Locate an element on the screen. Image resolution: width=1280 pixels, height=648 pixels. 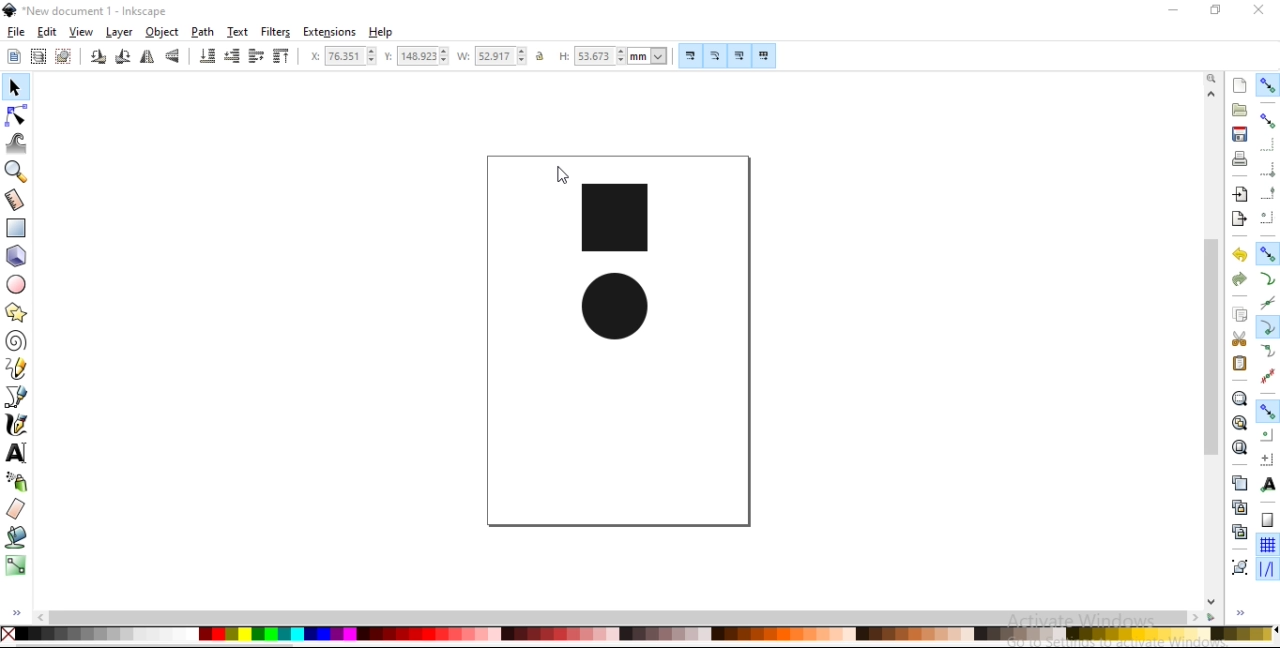
zoom to fit page is located at coordinates (1240, 447).